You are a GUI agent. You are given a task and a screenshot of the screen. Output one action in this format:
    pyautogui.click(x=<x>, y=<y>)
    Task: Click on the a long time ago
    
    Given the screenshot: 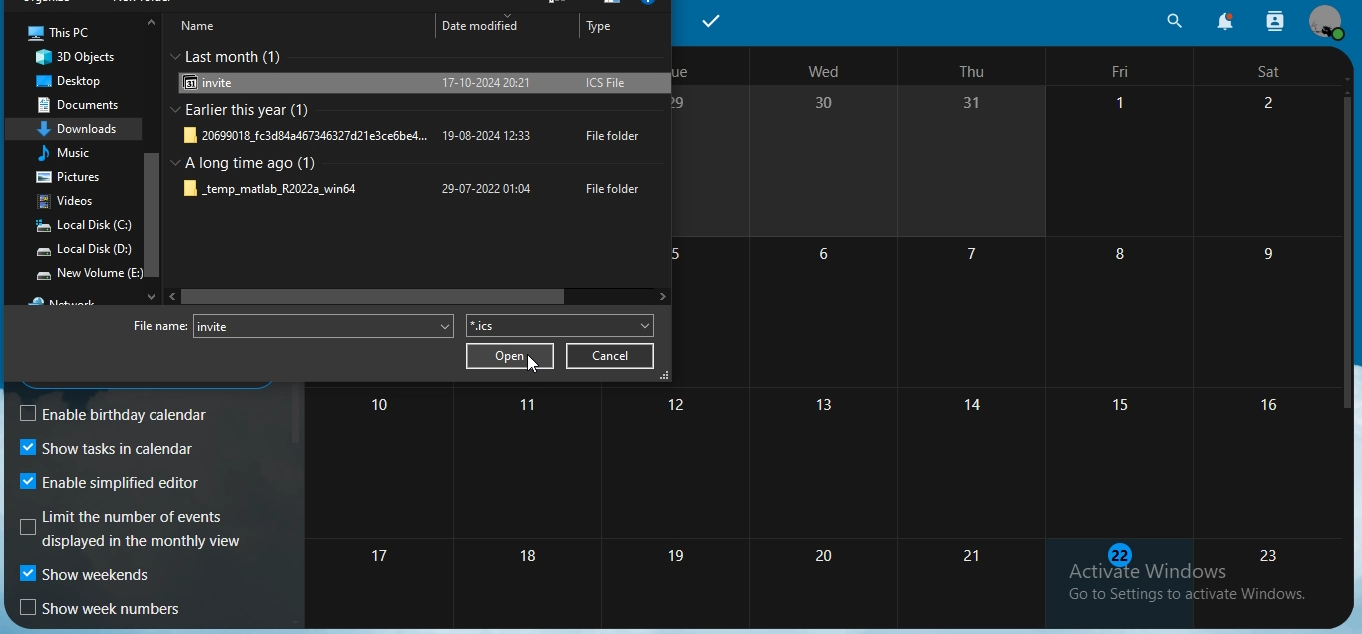 What is the action you would take?
    pyautogui.click(x=255, y=162)
    